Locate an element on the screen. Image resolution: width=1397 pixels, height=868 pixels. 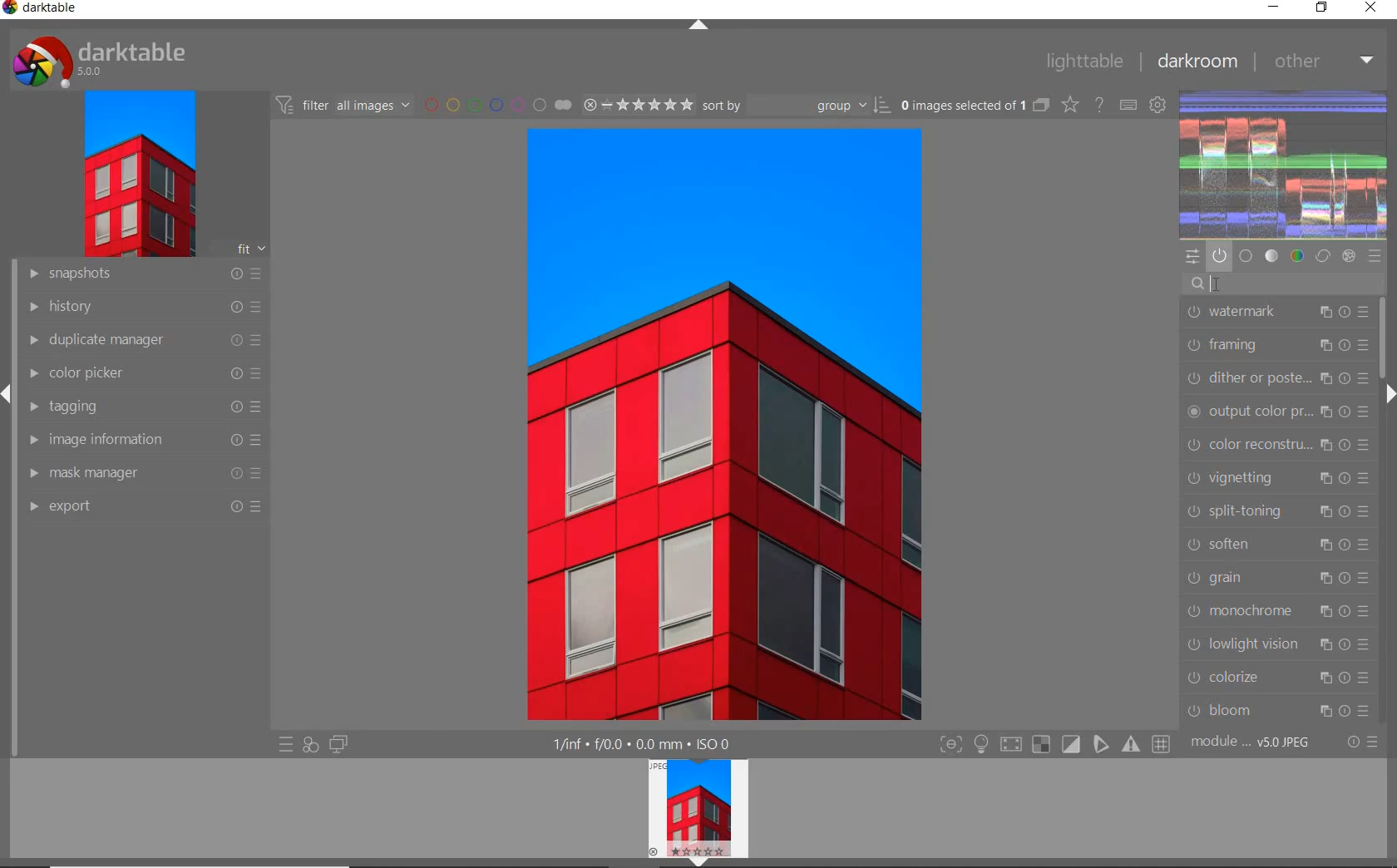
CURSOR POSITION is located at coordinates (1226, 282).